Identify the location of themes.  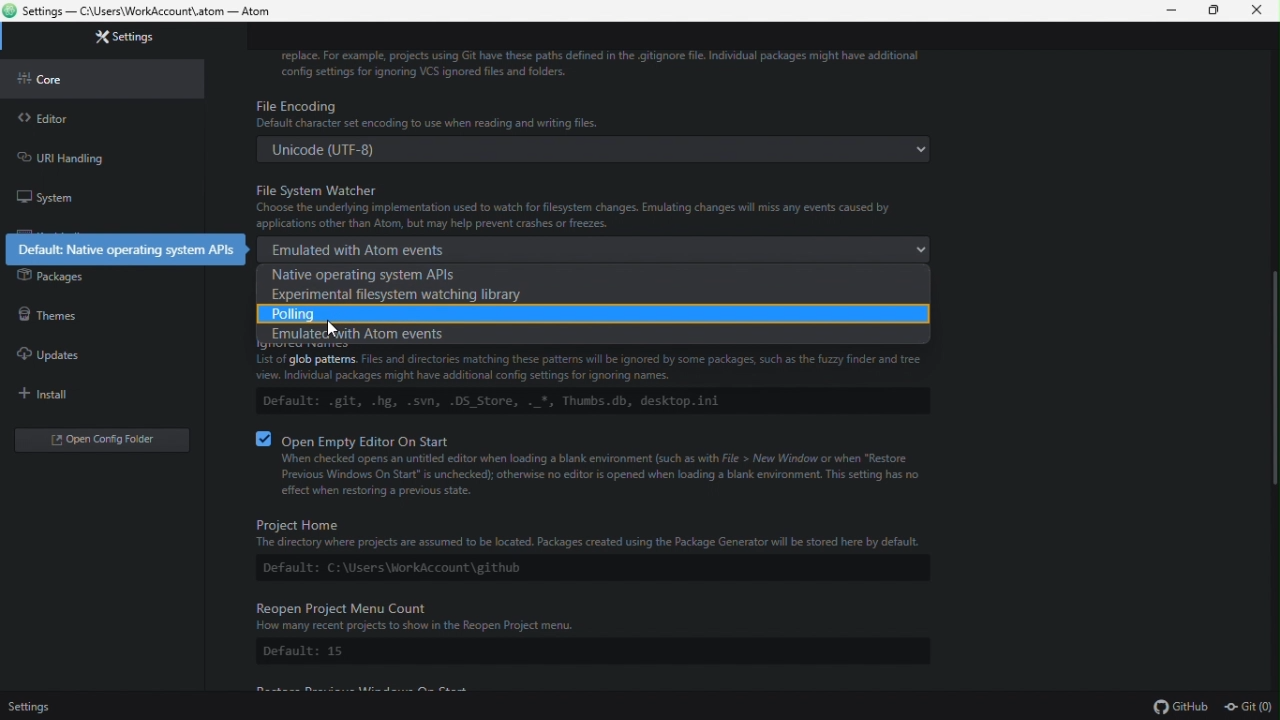
(89, 318).